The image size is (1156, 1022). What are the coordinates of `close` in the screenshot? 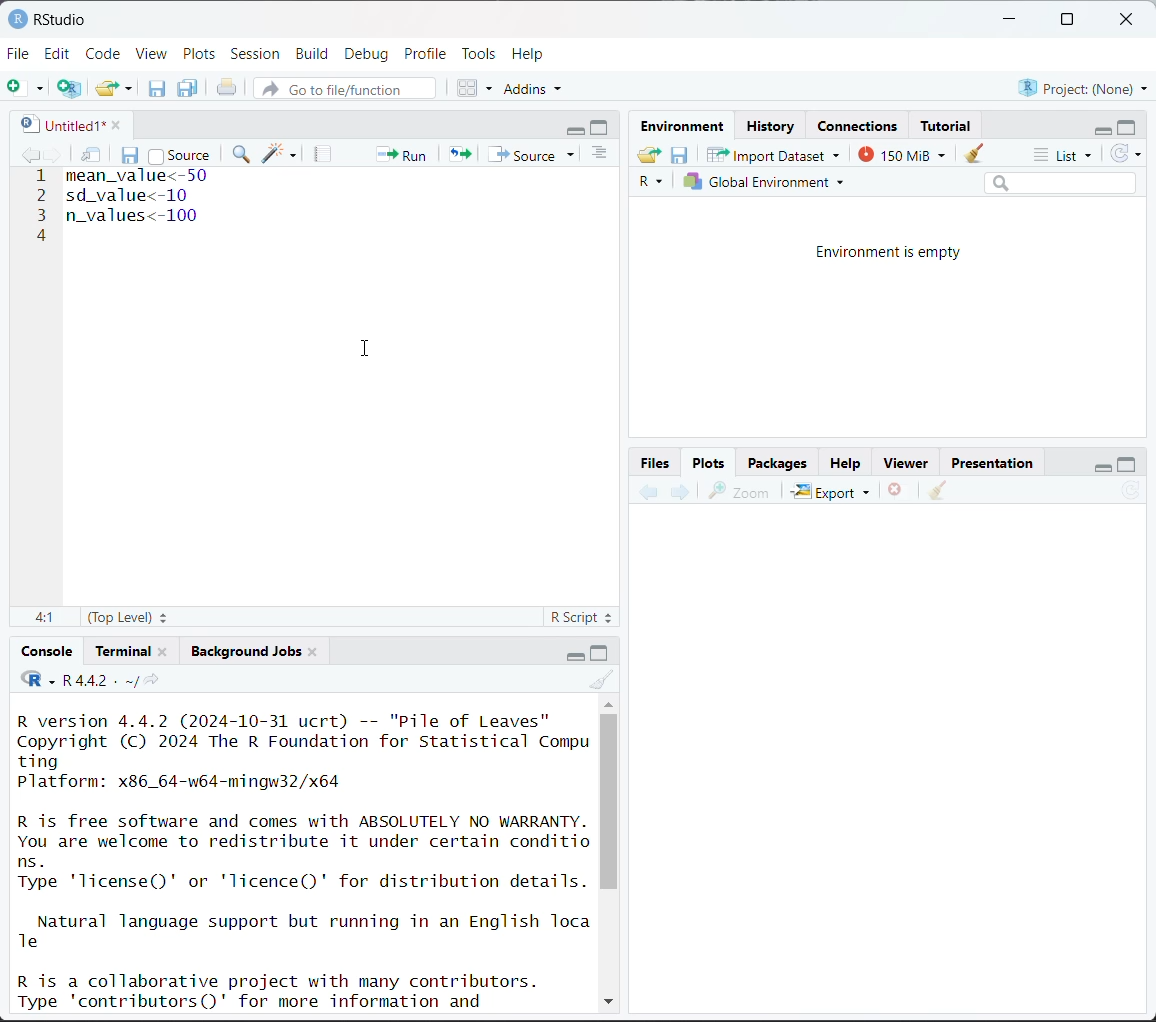 It's located at (163, 650).